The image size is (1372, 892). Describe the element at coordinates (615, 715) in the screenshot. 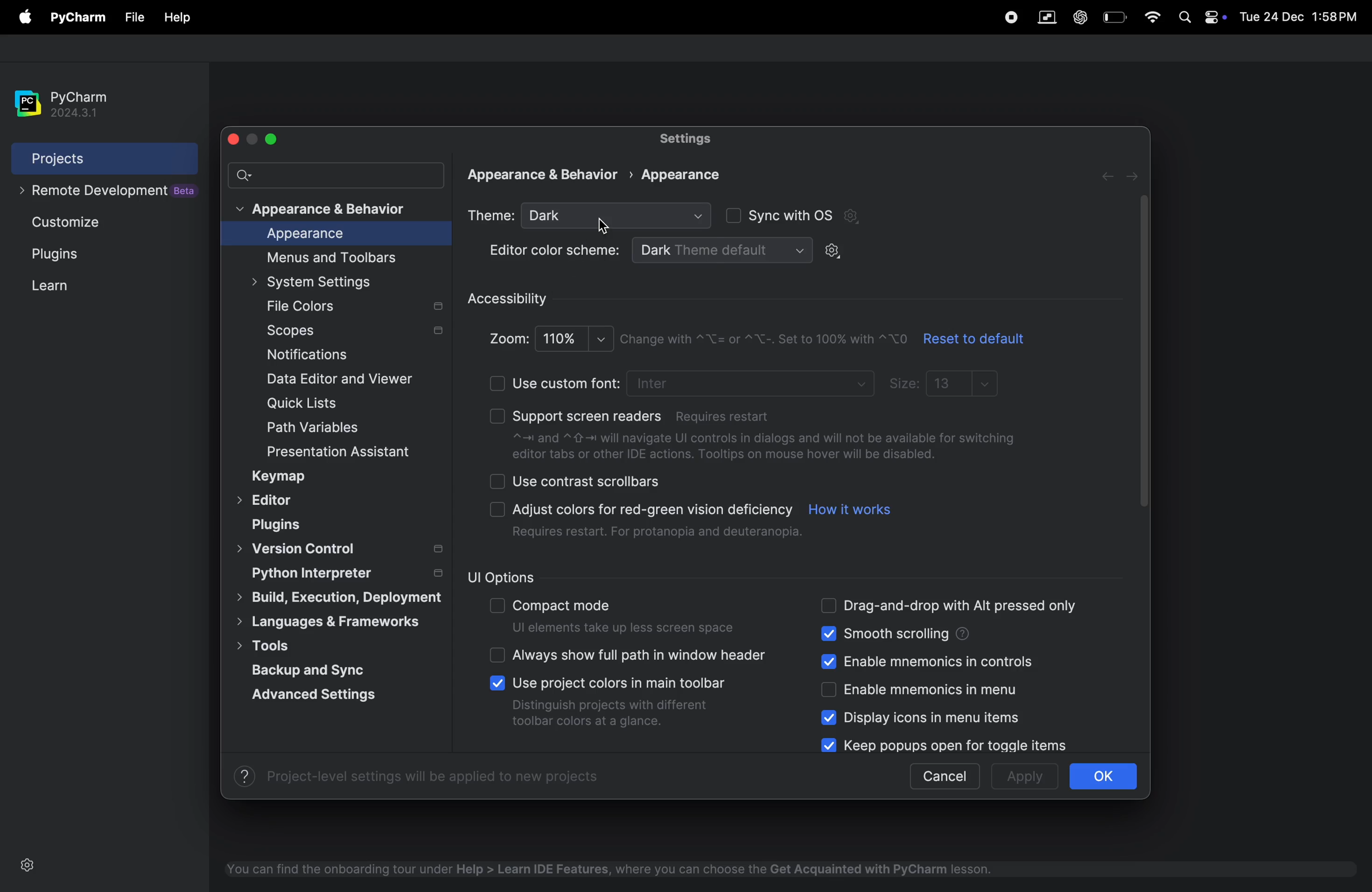

I see `Distinguish projects with different toolbar colors at a glance.` at that location.